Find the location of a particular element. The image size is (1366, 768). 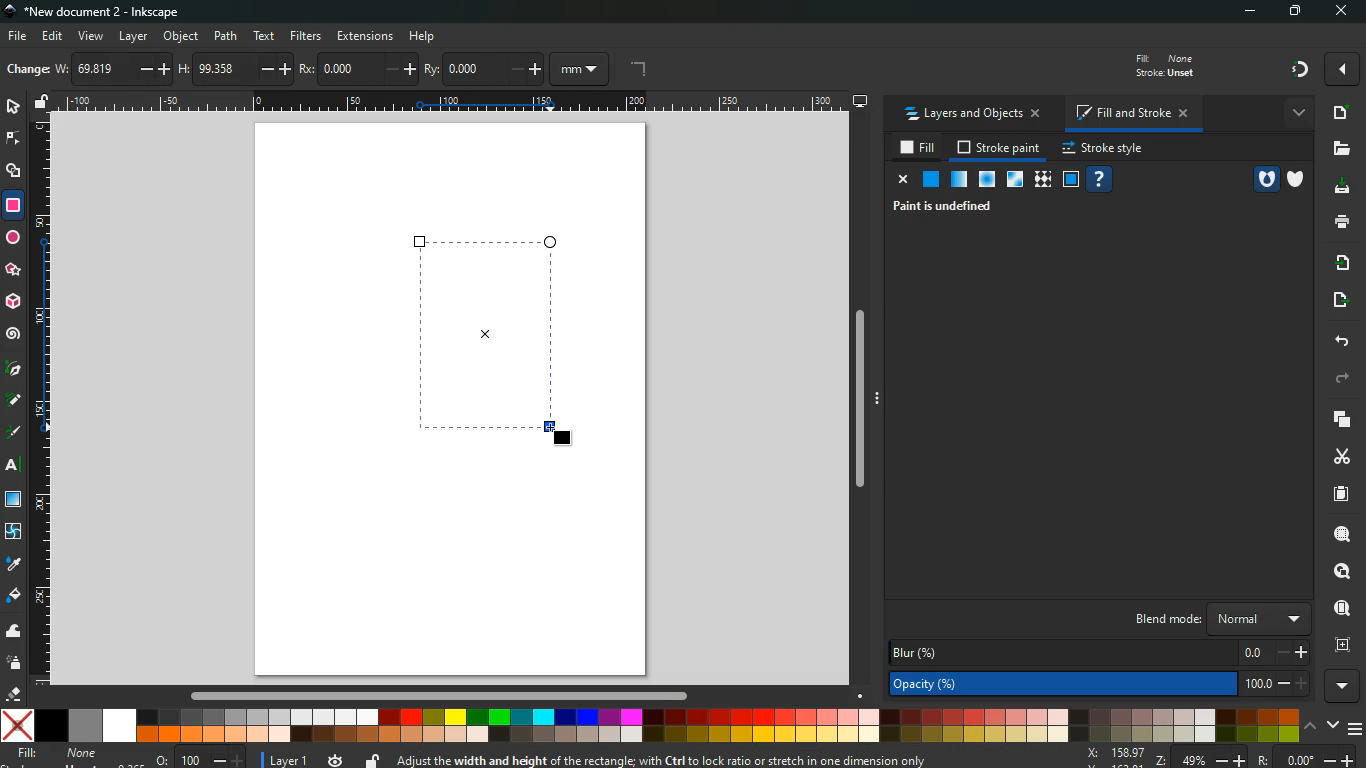

unlock is located at coordinates (369, 760).